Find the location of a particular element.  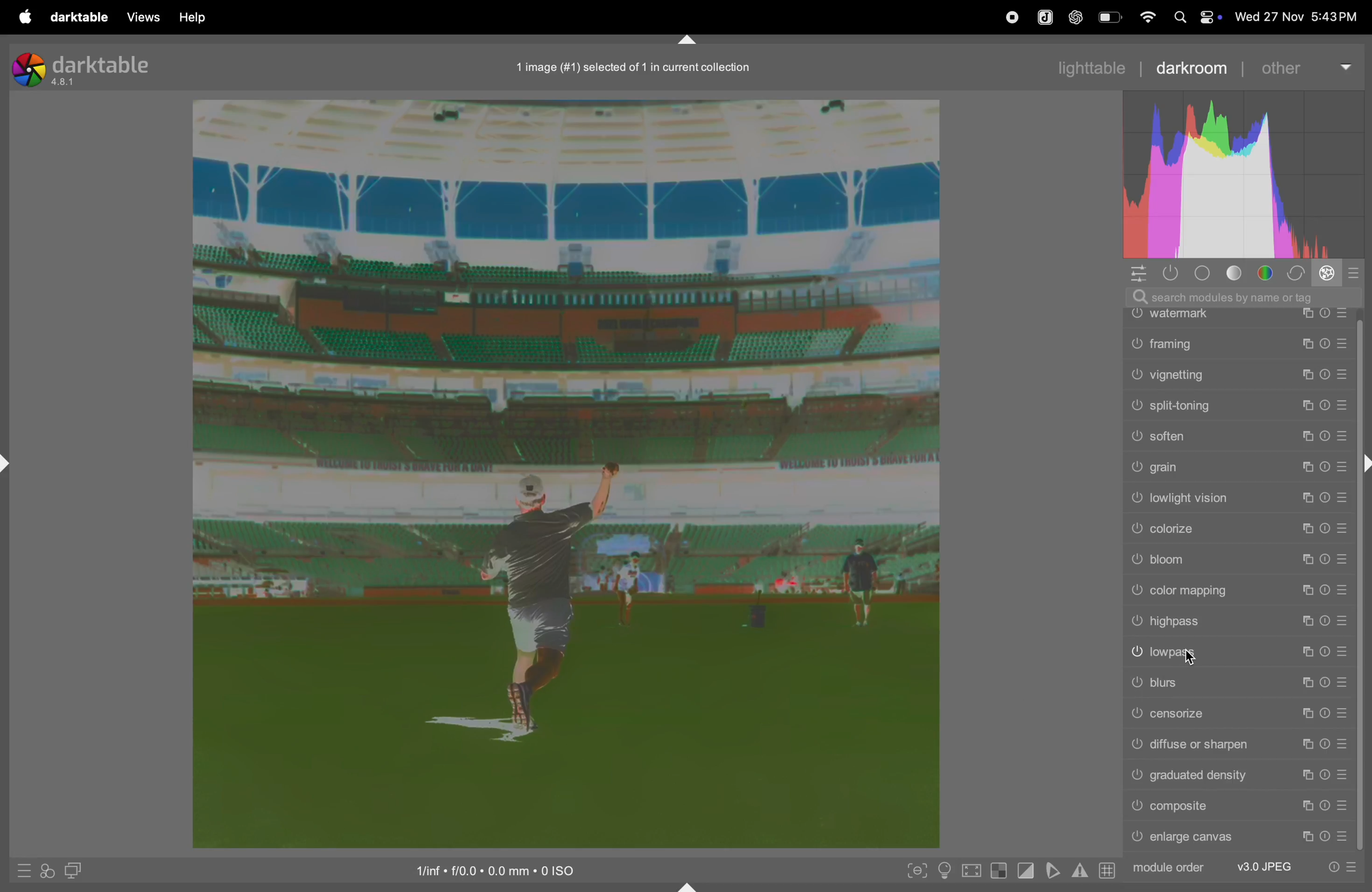

base is located at coordinates (1203, 273).